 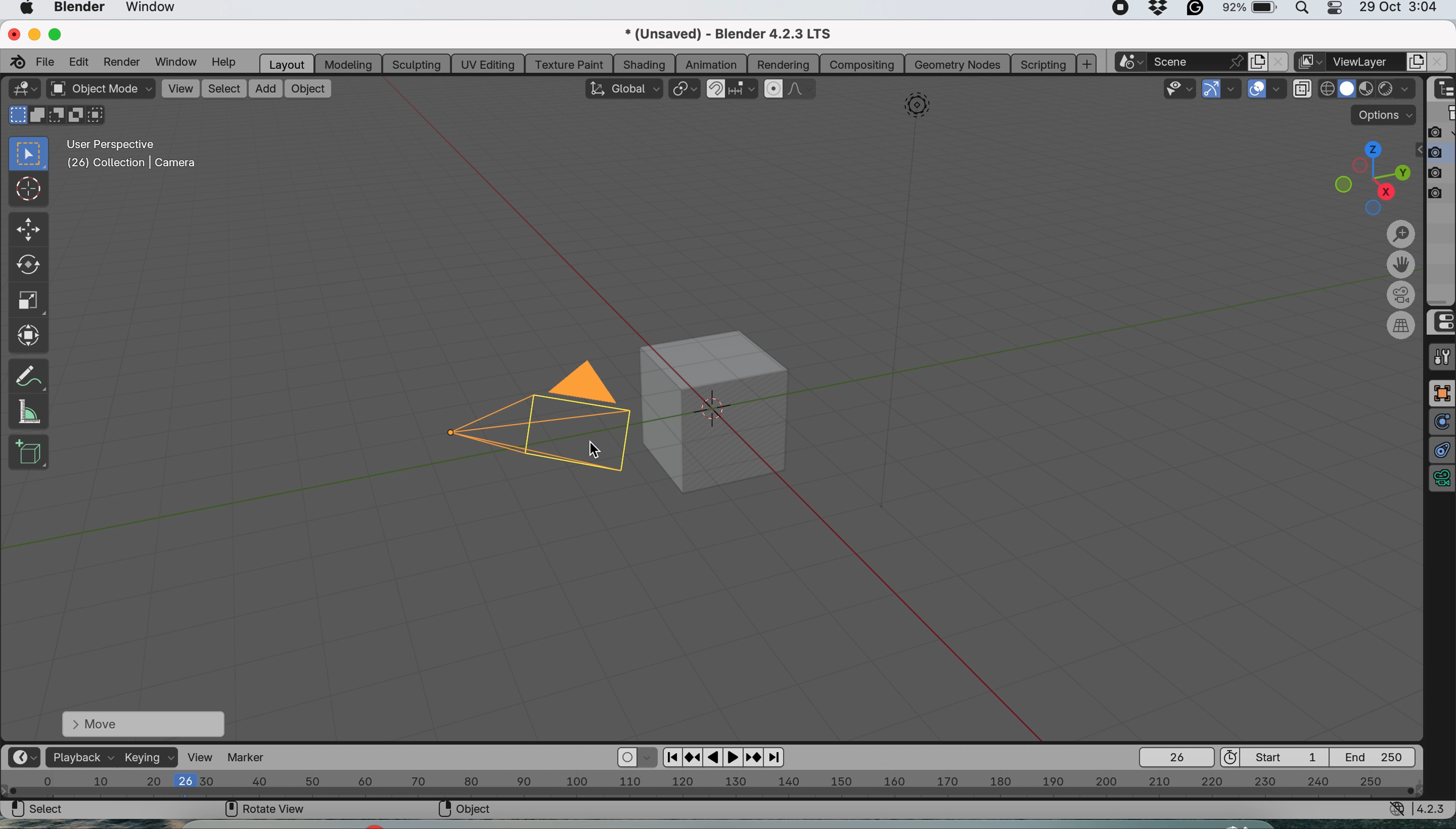 What do you see at coordinates (80, 9) in the screenshot?
I see `blender` at bounding box center [80, 9].